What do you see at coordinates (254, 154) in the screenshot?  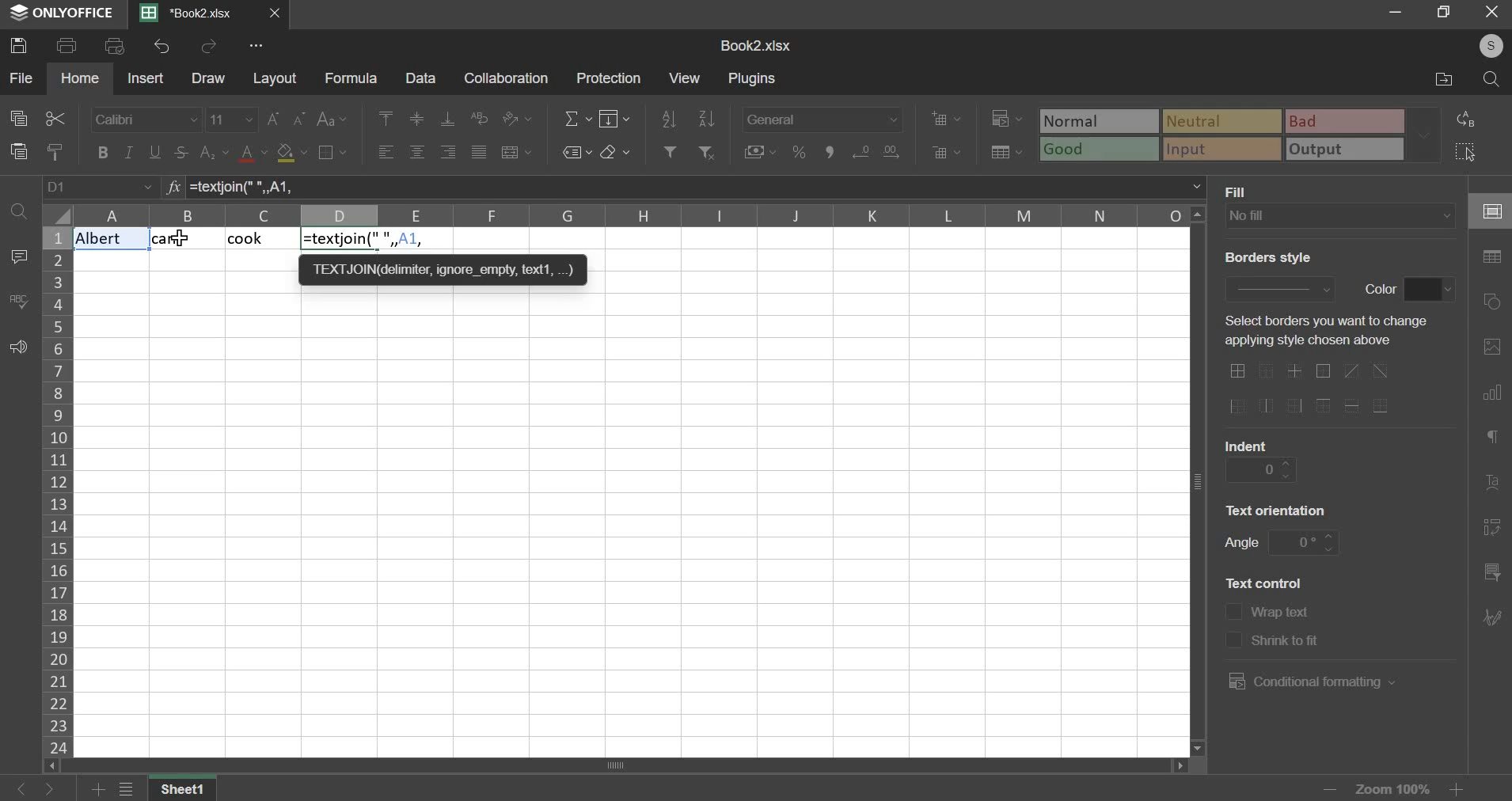 I see `text color` at bounding box center [254, 154].